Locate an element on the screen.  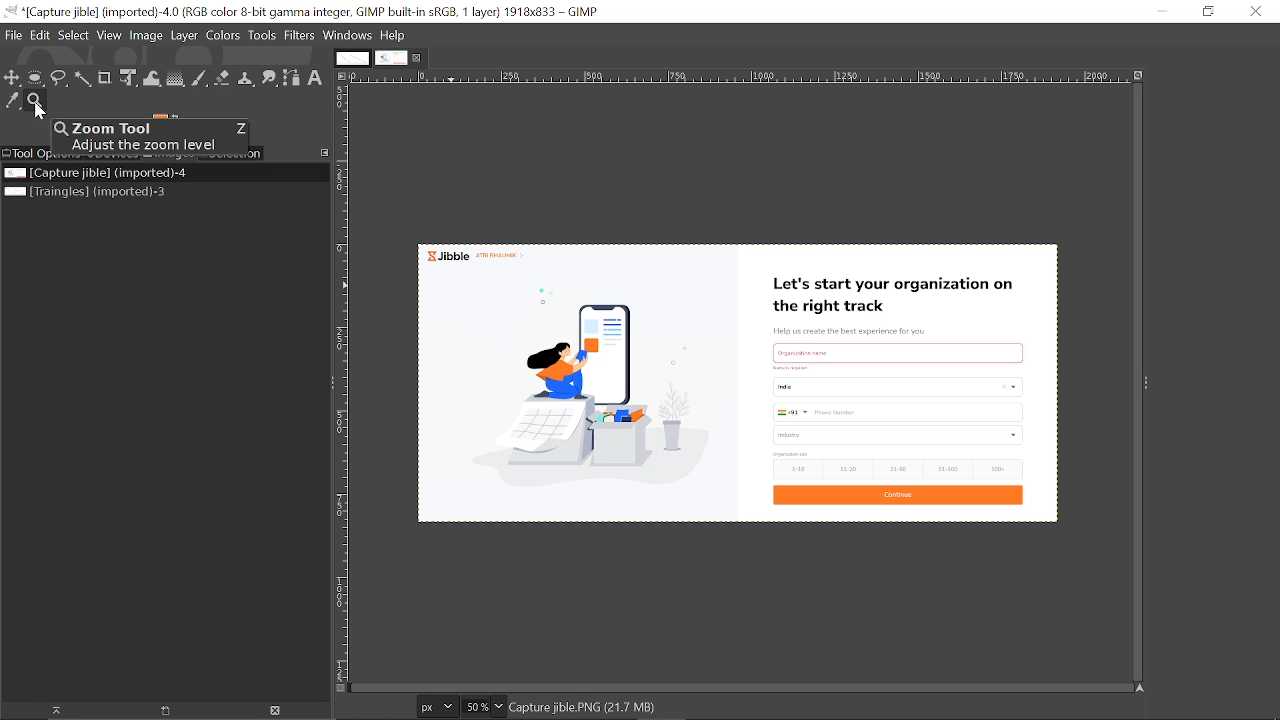
Zoom tool is located at coordinates (38, 101).